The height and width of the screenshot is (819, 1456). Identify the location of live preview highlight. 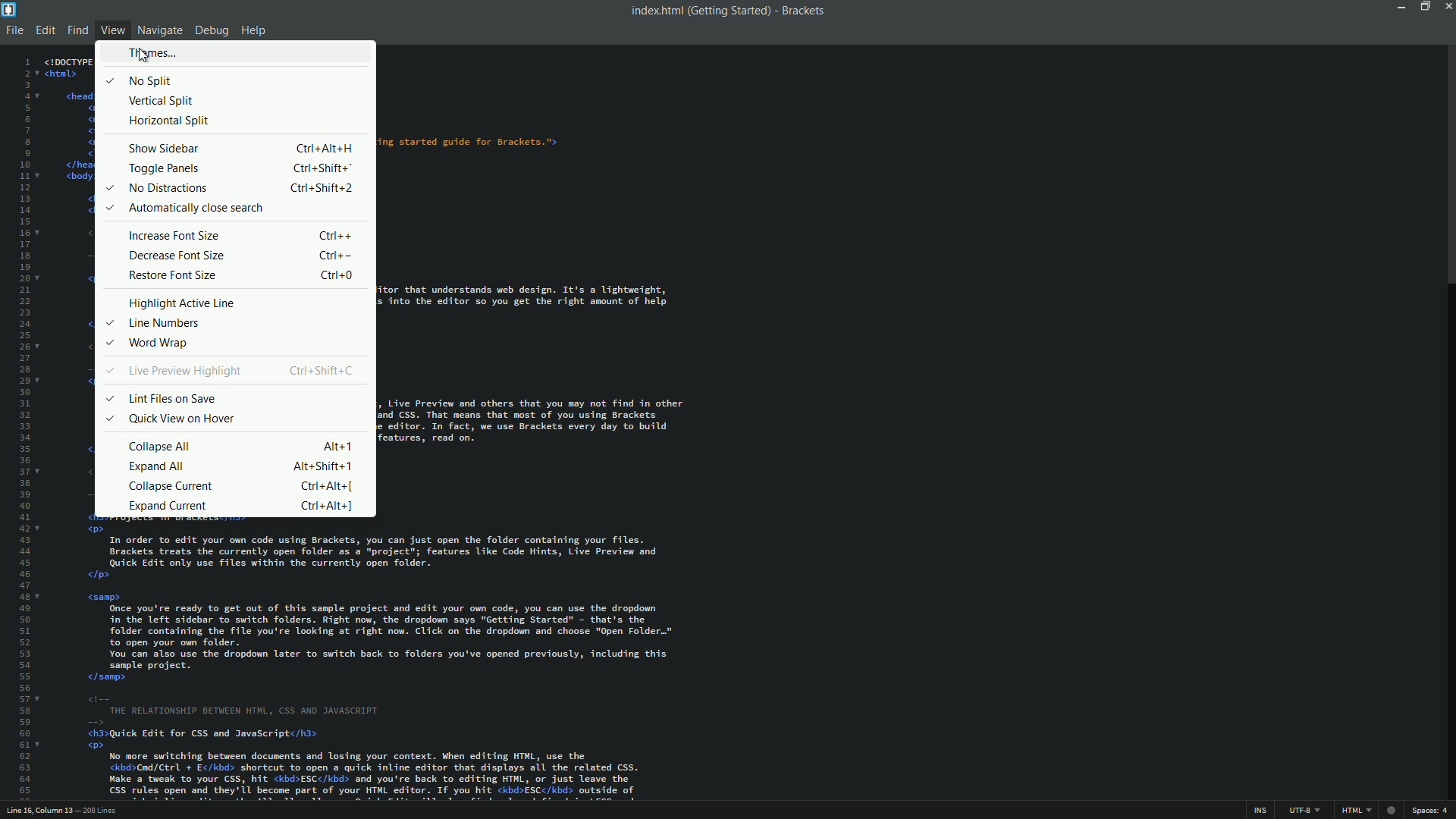
(184, 372).